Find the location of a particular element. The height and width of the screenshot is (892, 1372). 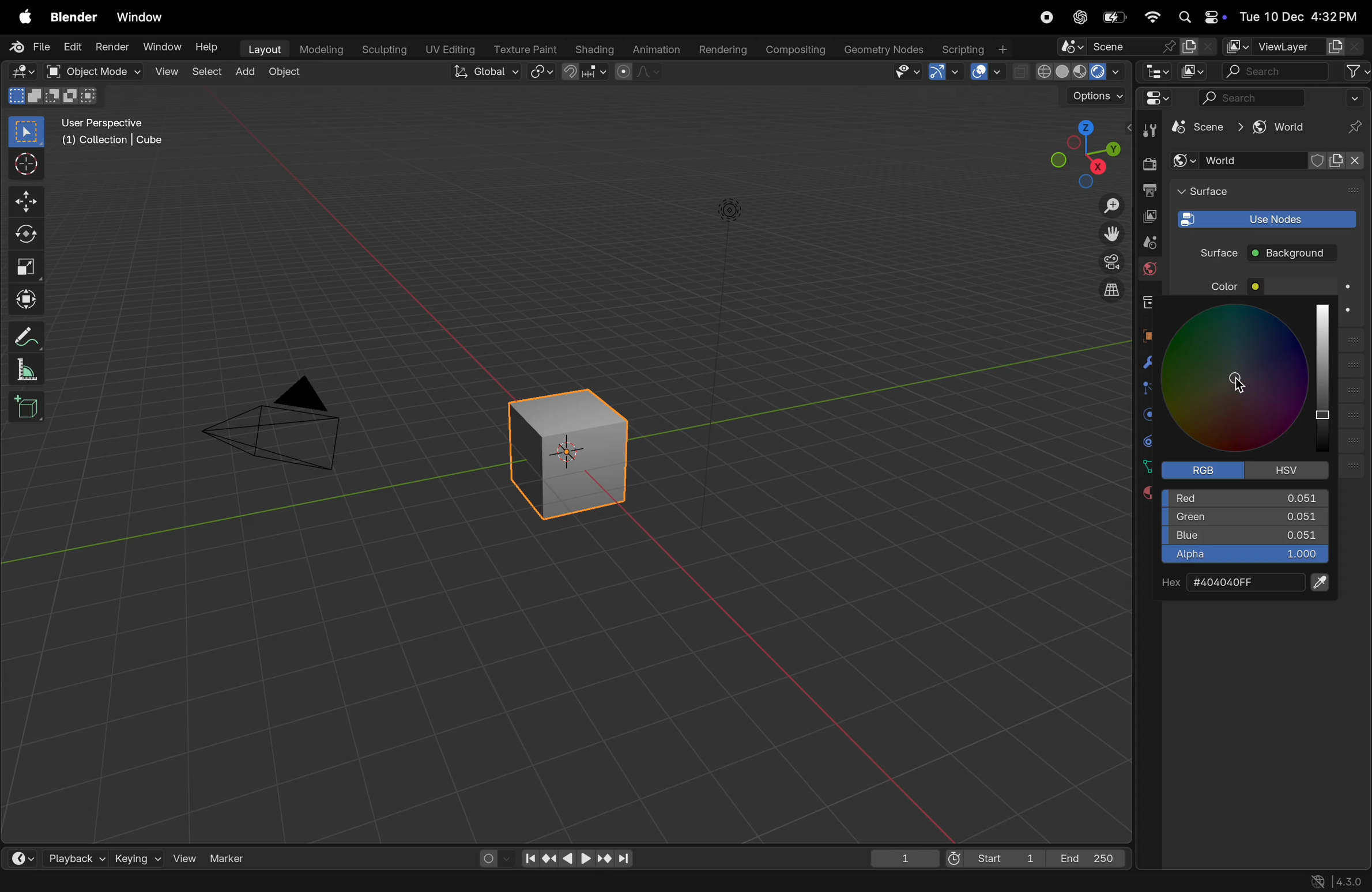

Apple menu is located at coordinates (24, 16).